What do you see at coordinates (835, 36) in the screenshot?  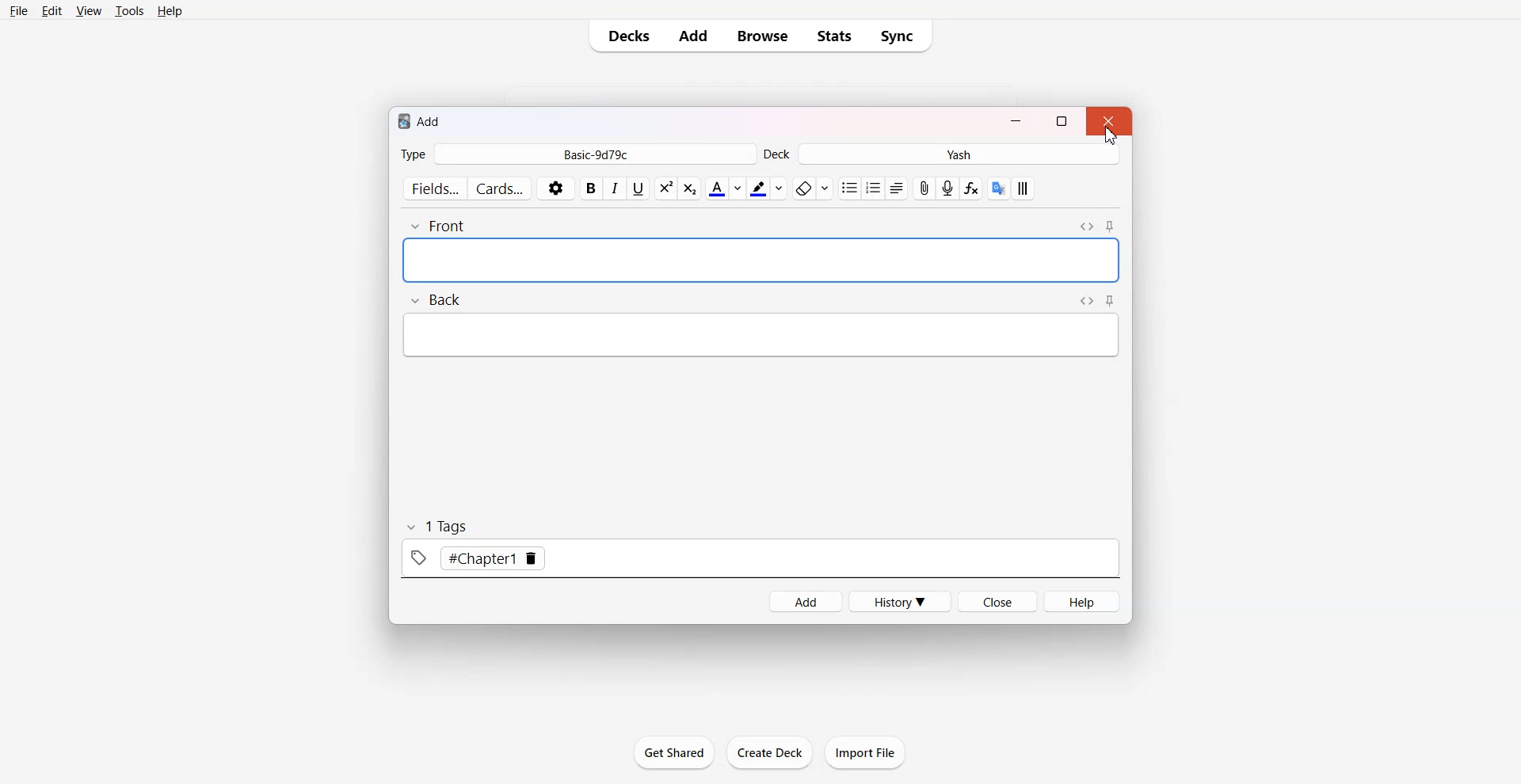 I see `Stats` at bounding box center [835, 36].